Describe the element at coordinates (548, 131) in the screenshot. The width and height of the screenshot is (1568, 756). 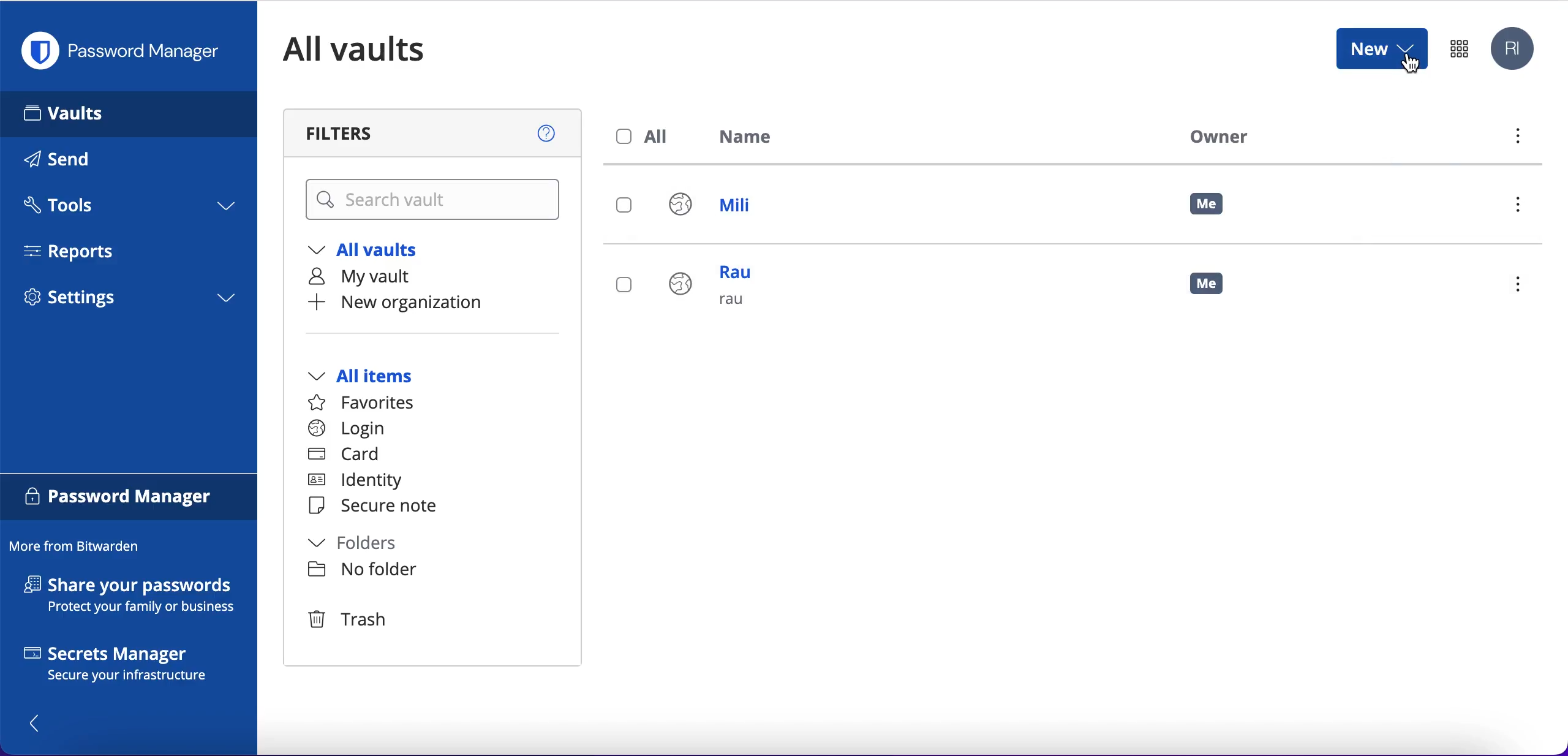
I see `help` at that location.